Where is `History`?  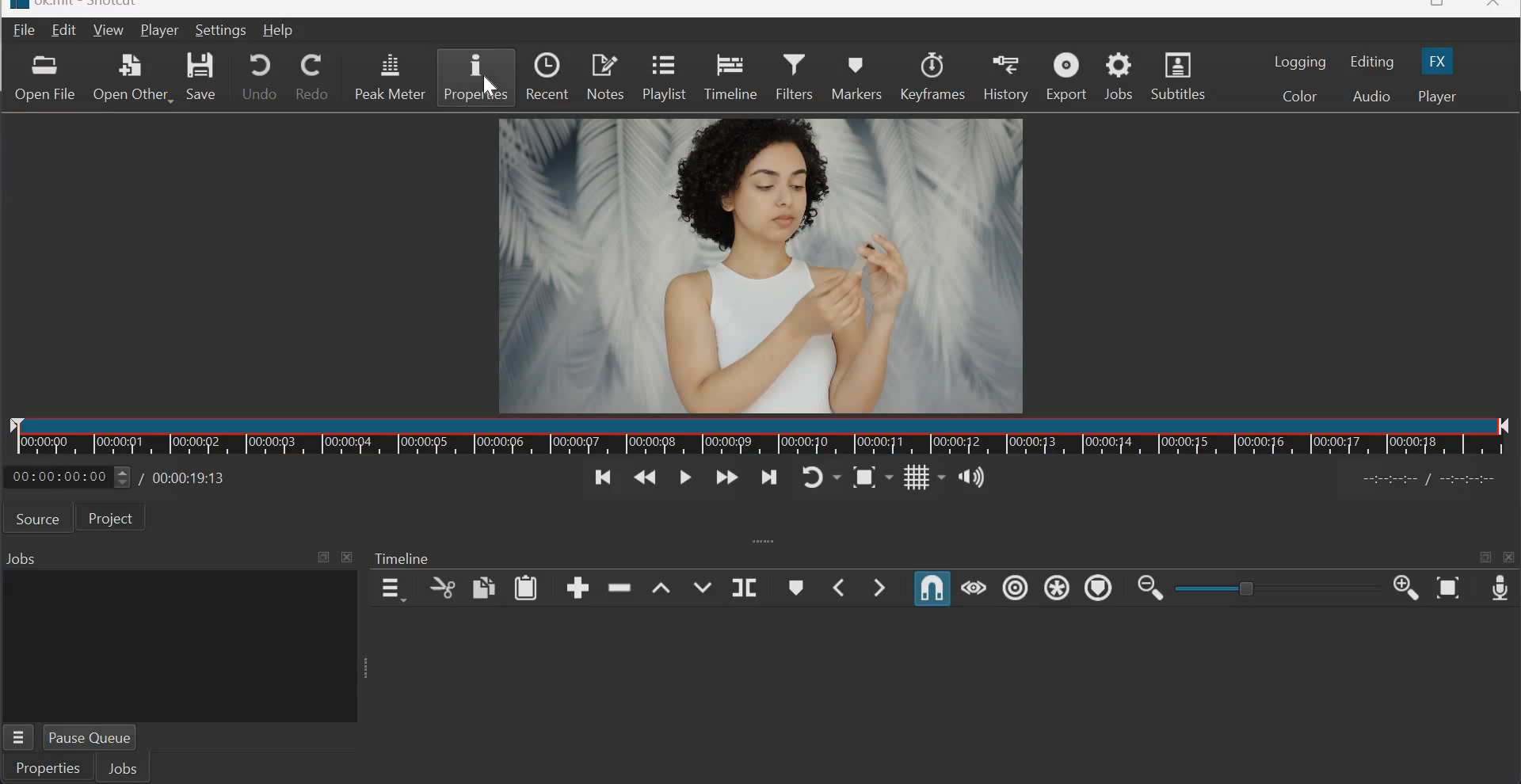
History is located at coordinates (1005, 76).